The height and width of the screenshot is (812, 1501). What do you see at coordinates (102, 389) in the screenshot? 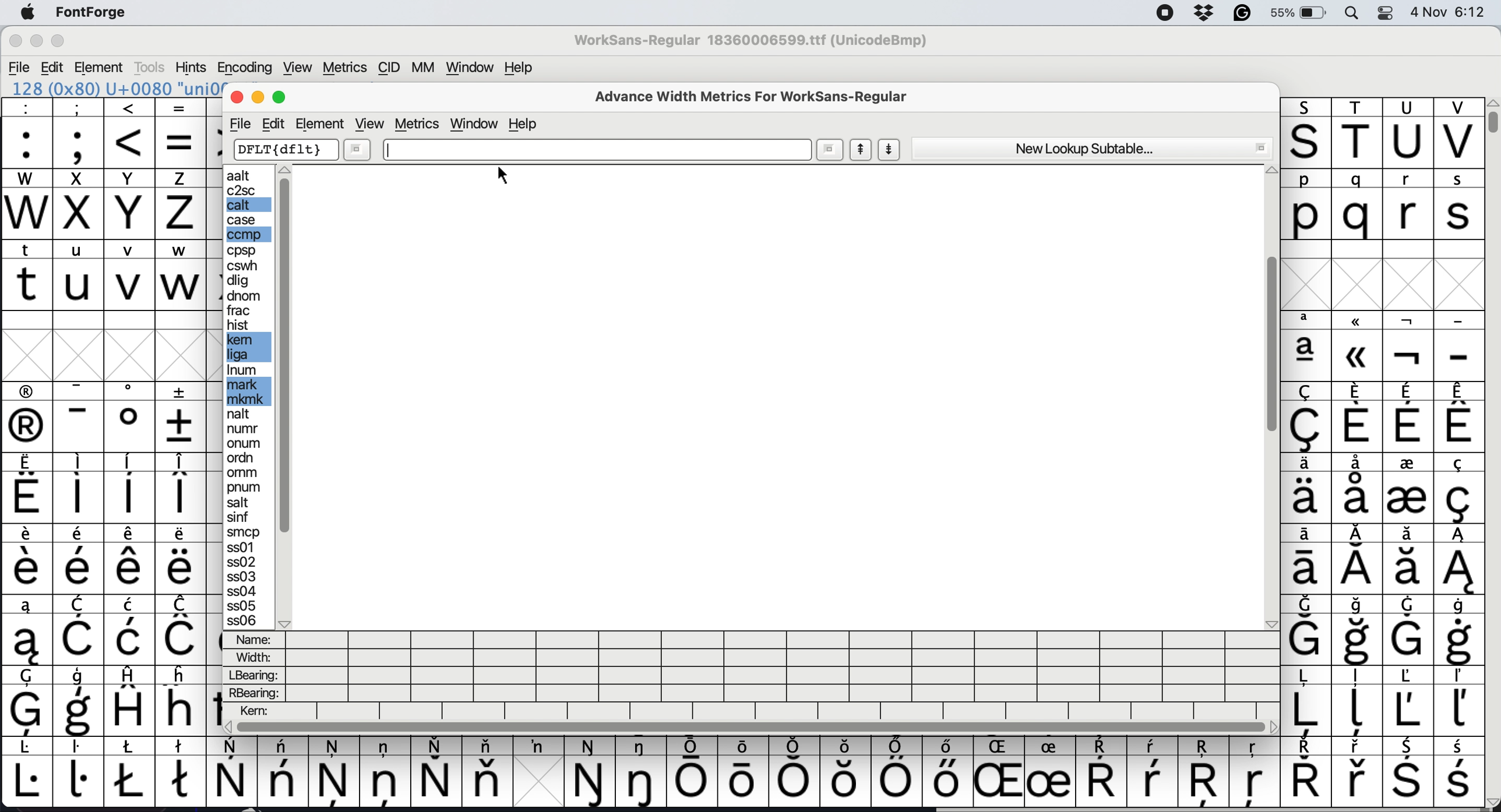
I see `special characters` at bounding box center [102, 389].